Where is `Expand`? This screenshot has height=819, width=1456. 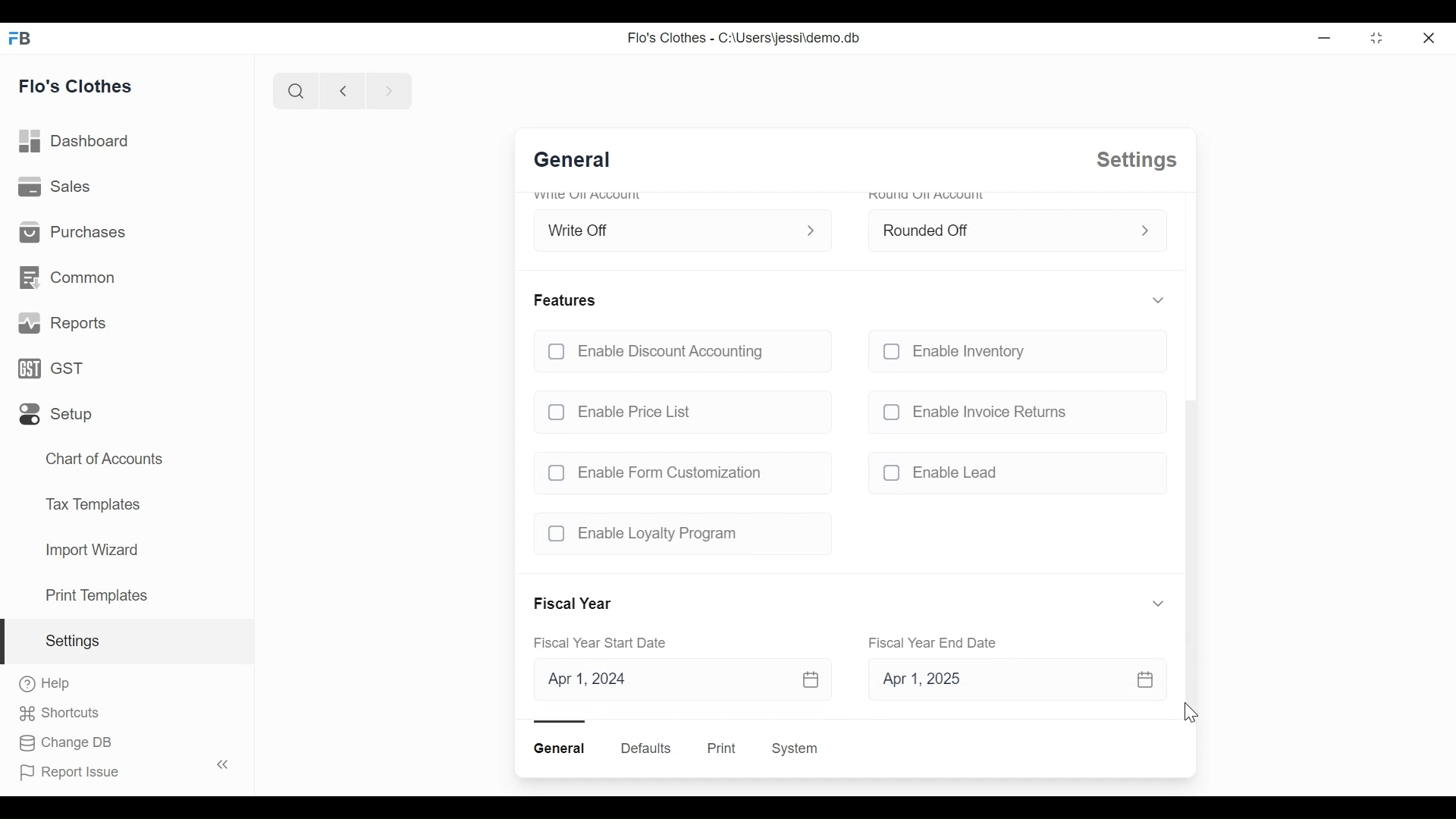 Expand is located at coordinates (1145, 231).